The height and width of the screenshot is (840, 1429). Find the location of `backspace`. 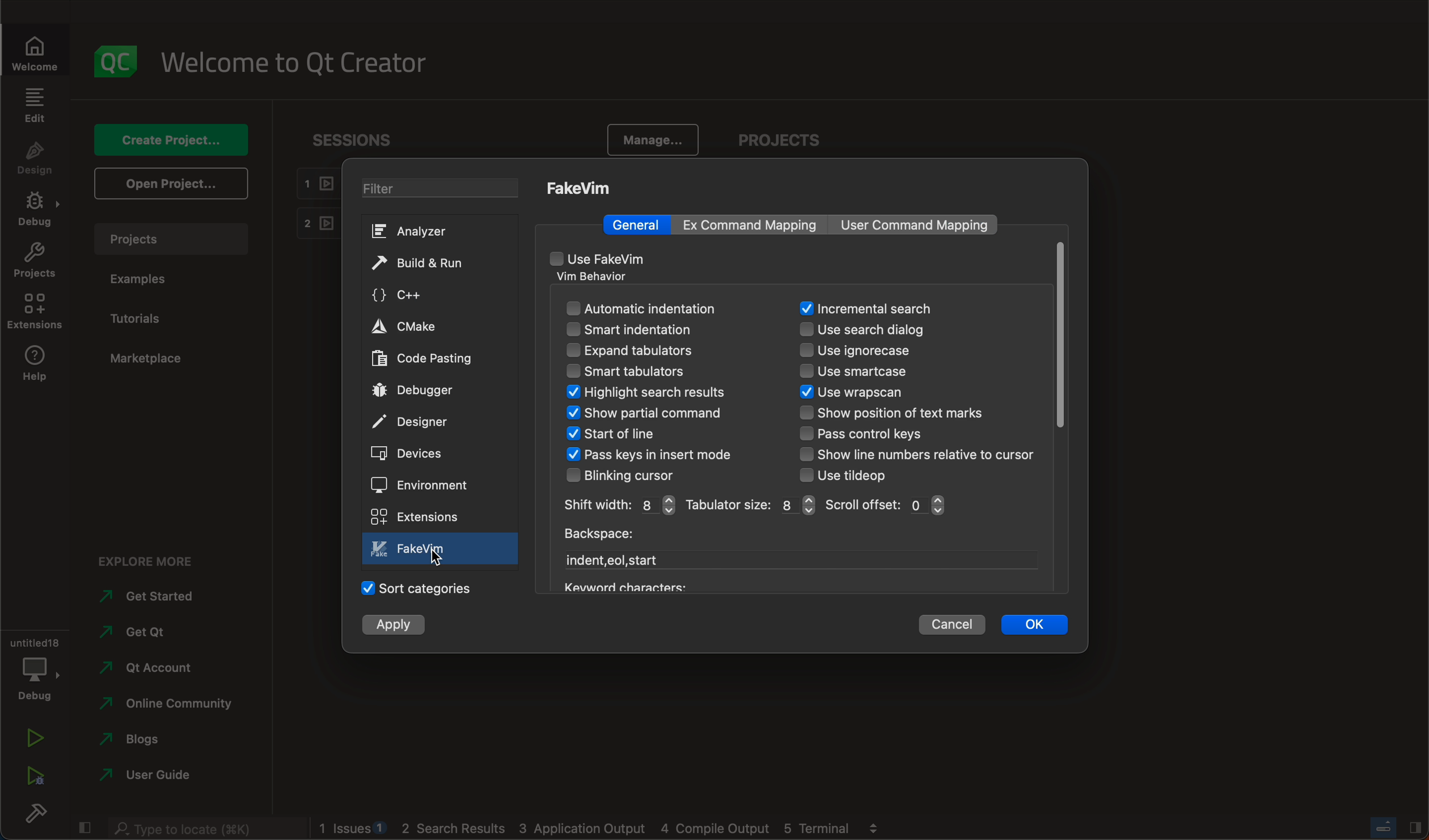

backspace is located at coordinates (597, 537).